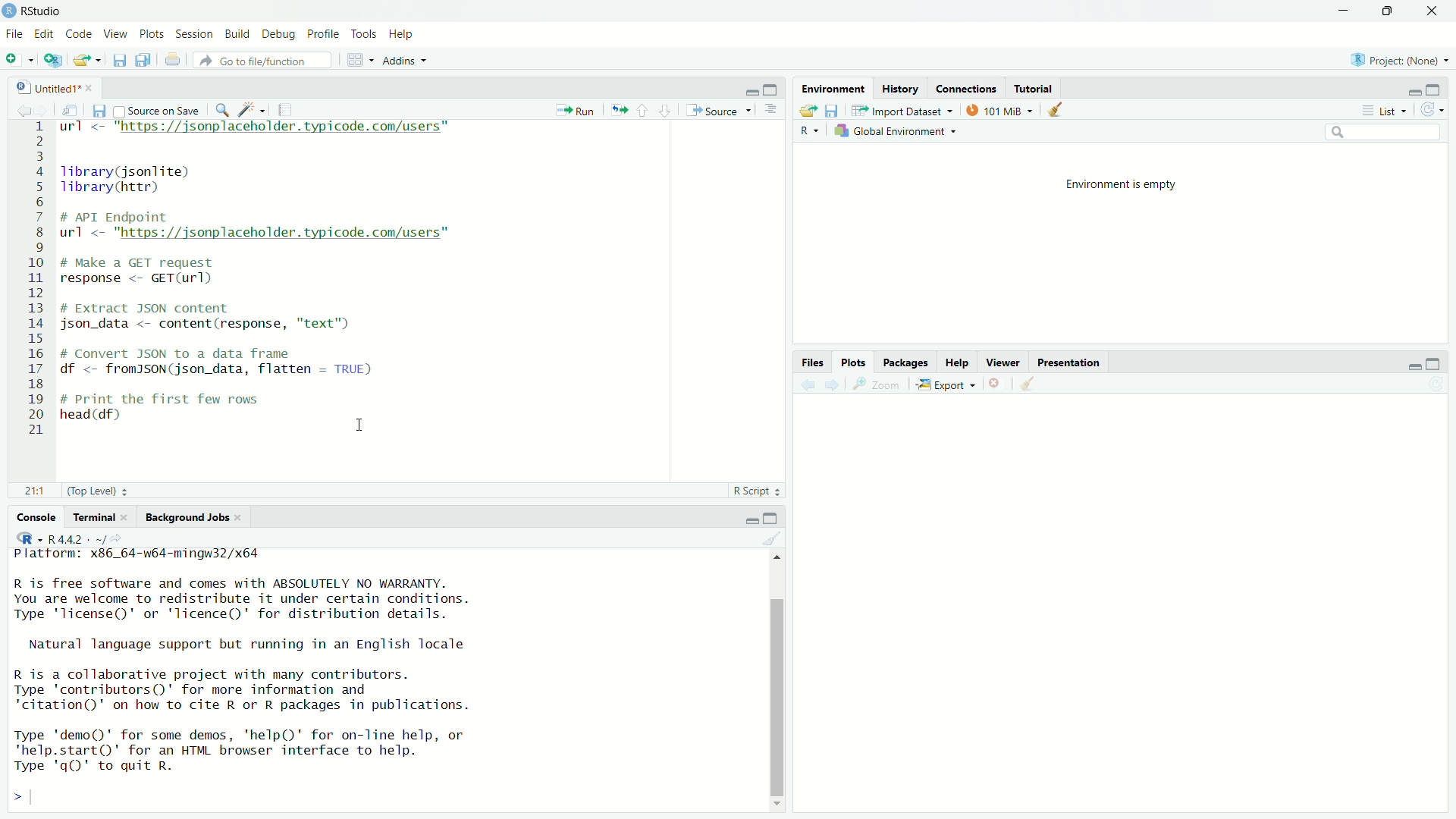  What do you see at coordinates (162, 411) in the screenshot?
I see `# Print the first few rows
head (df)` at bounding box center [162, 411].